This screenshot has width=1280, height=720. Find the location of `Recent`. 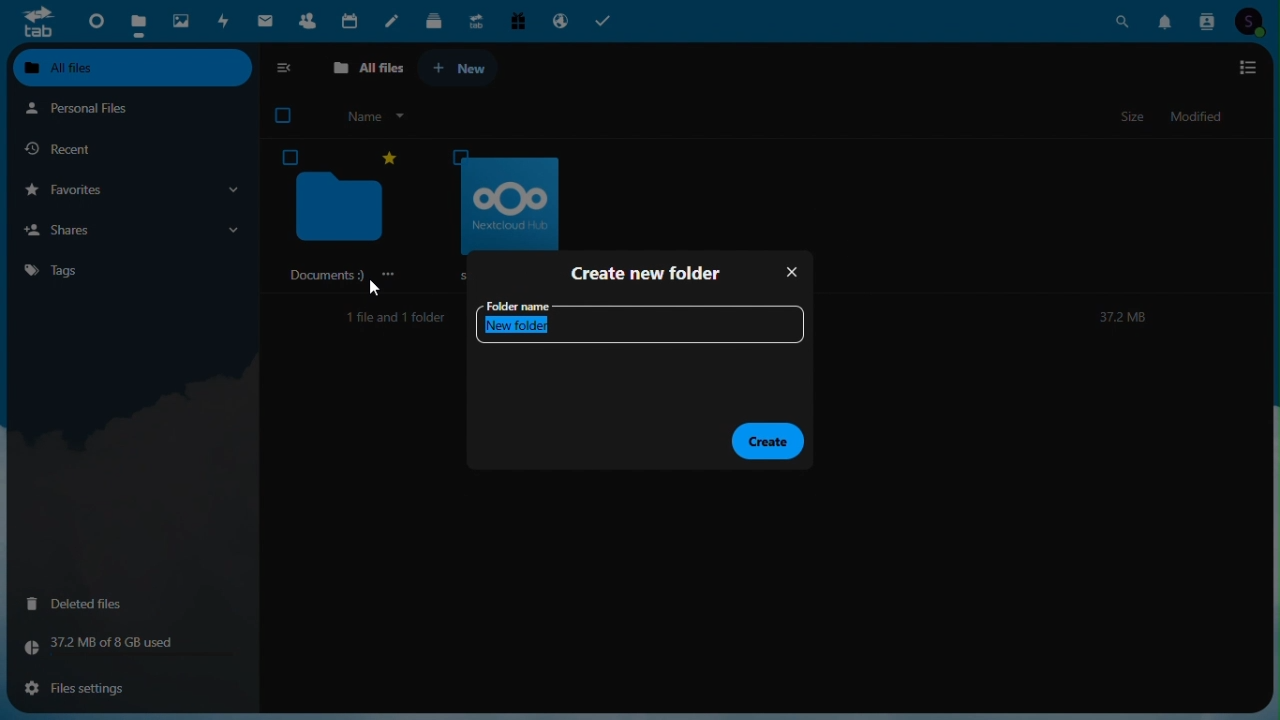

Recent is located at coordinates (125, 152).